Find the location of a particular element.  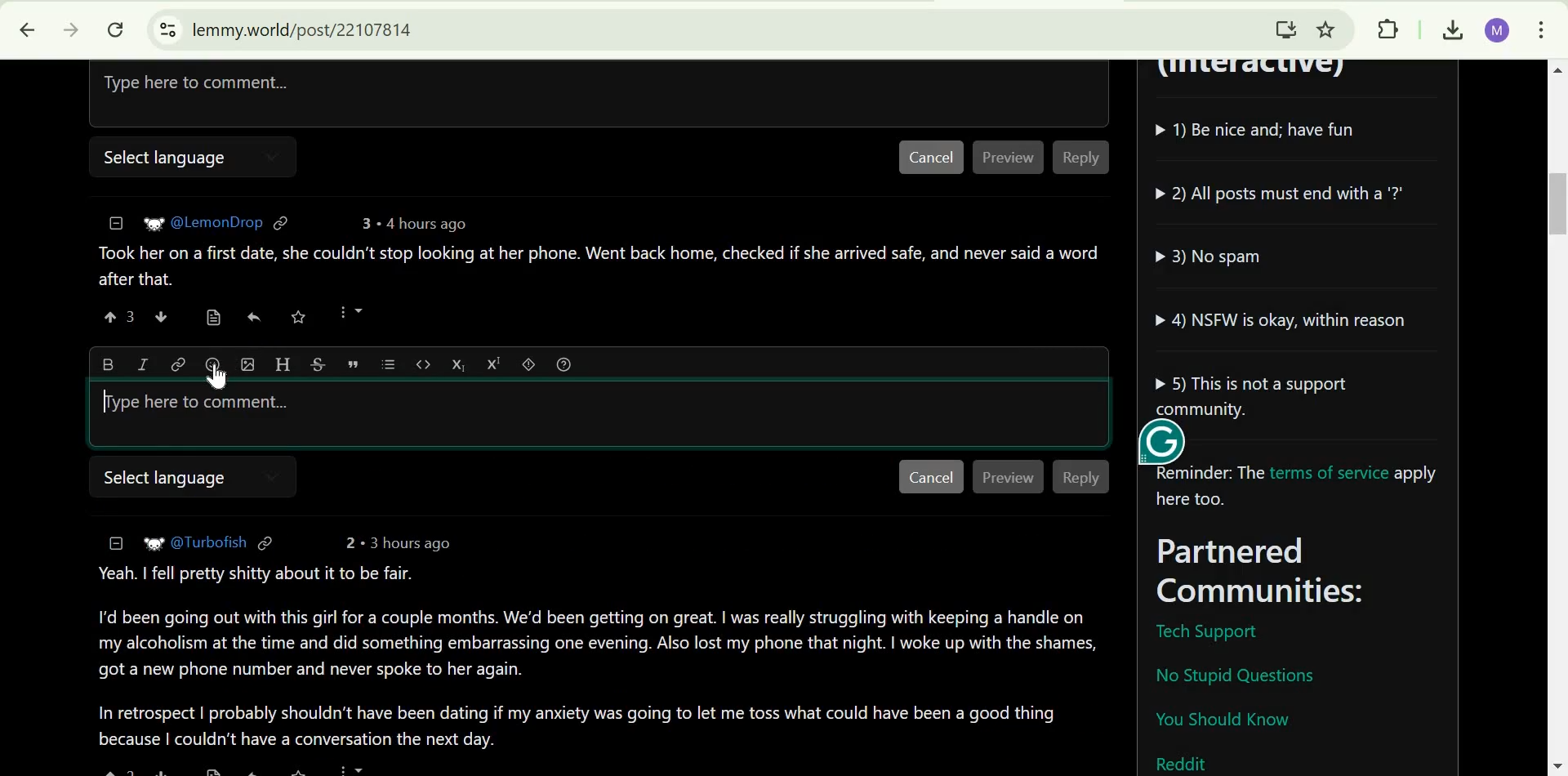

Reply is located at coordinates (1083, 477).